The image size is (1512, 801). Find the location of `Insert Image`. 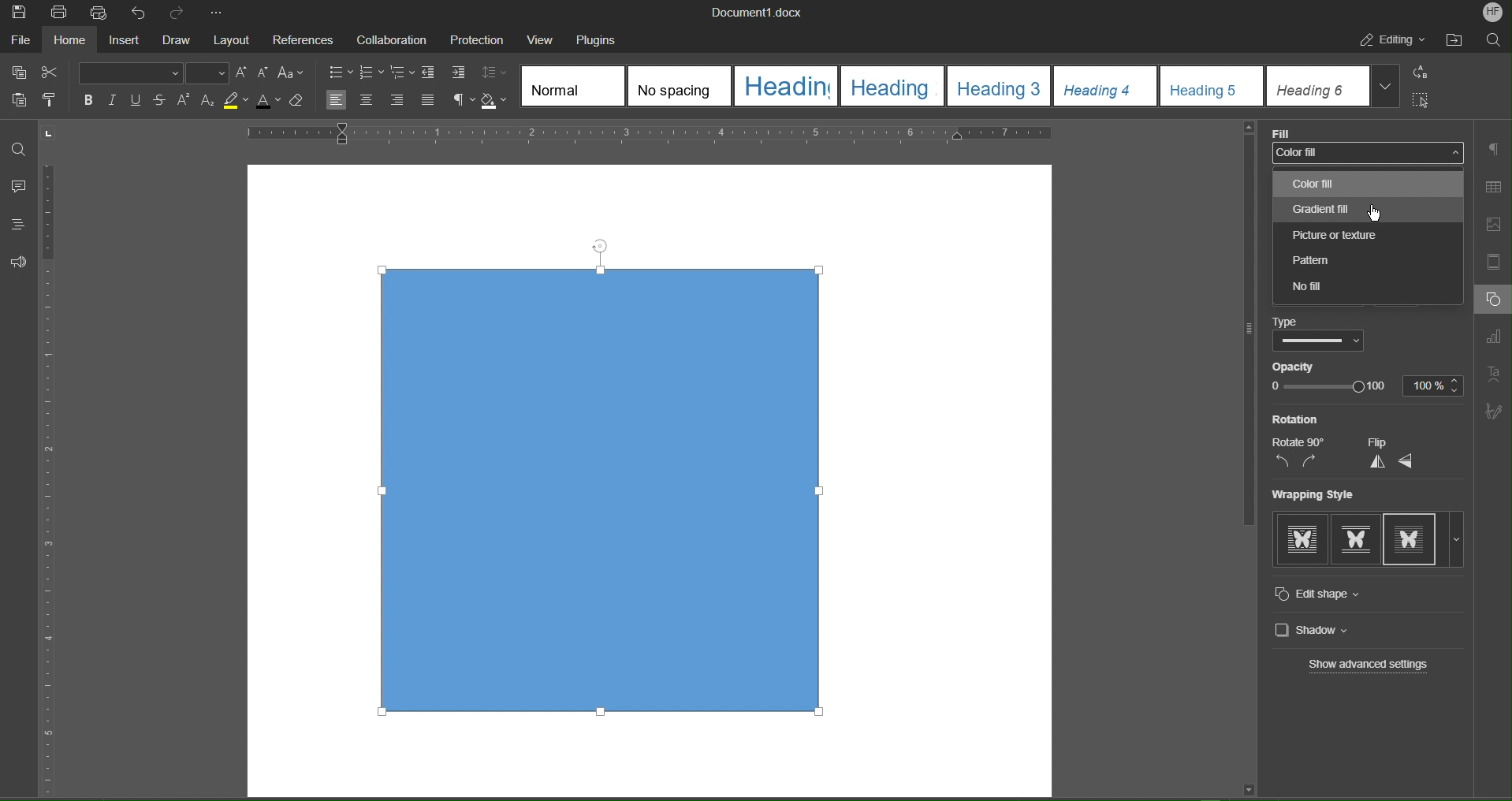

Insert Image is located at coordinates (1498, 225).